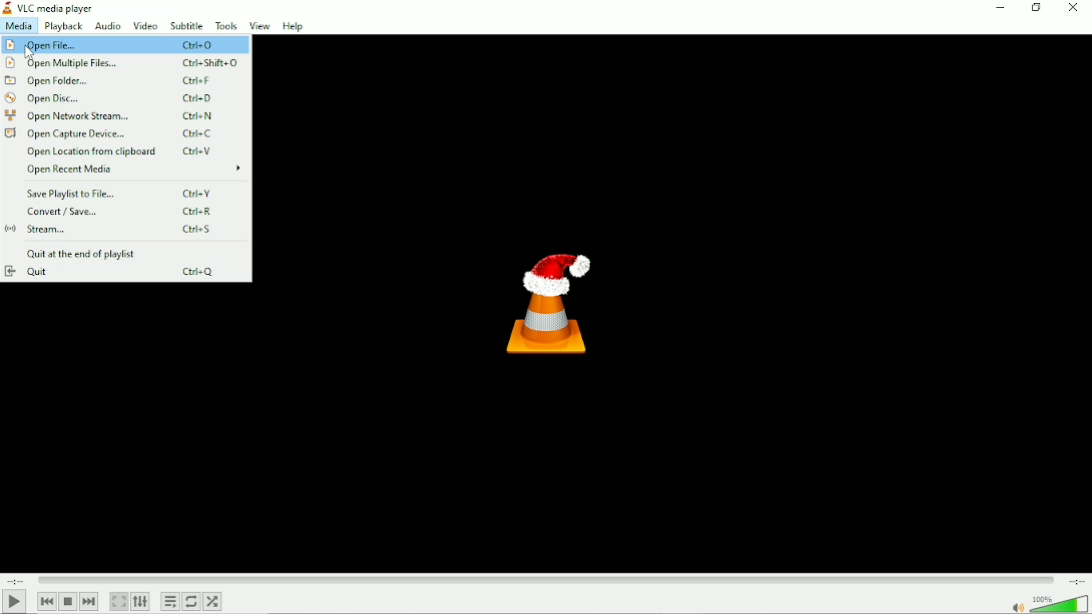 This screenshot has width=1092, height=614. Describe the element at coordinates (169, 601) in the screenshot. I see `Toggle playlist` at that location.